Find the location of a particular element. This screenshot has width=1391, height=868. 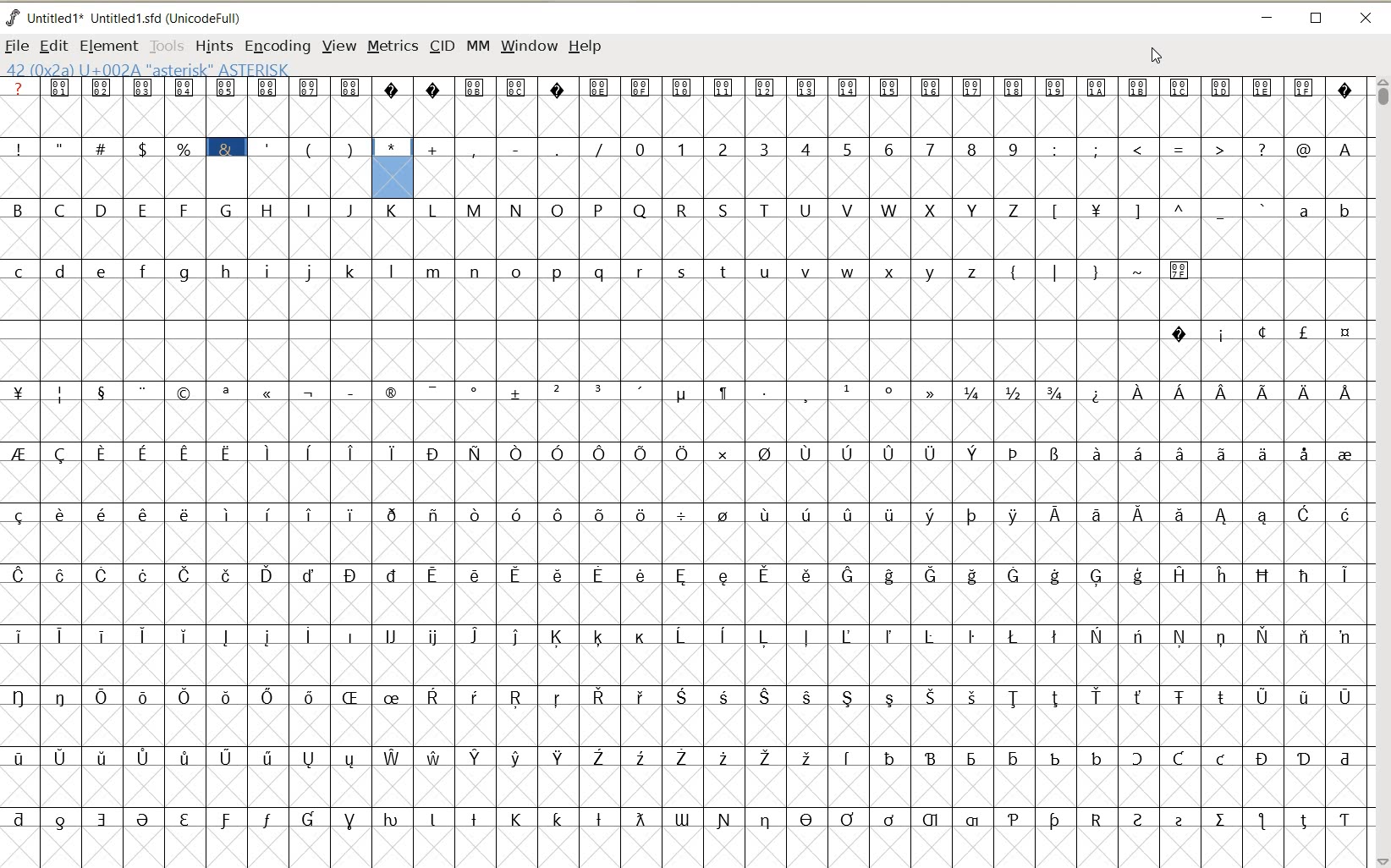

fontforge logo is located at coordinates (14, 16).